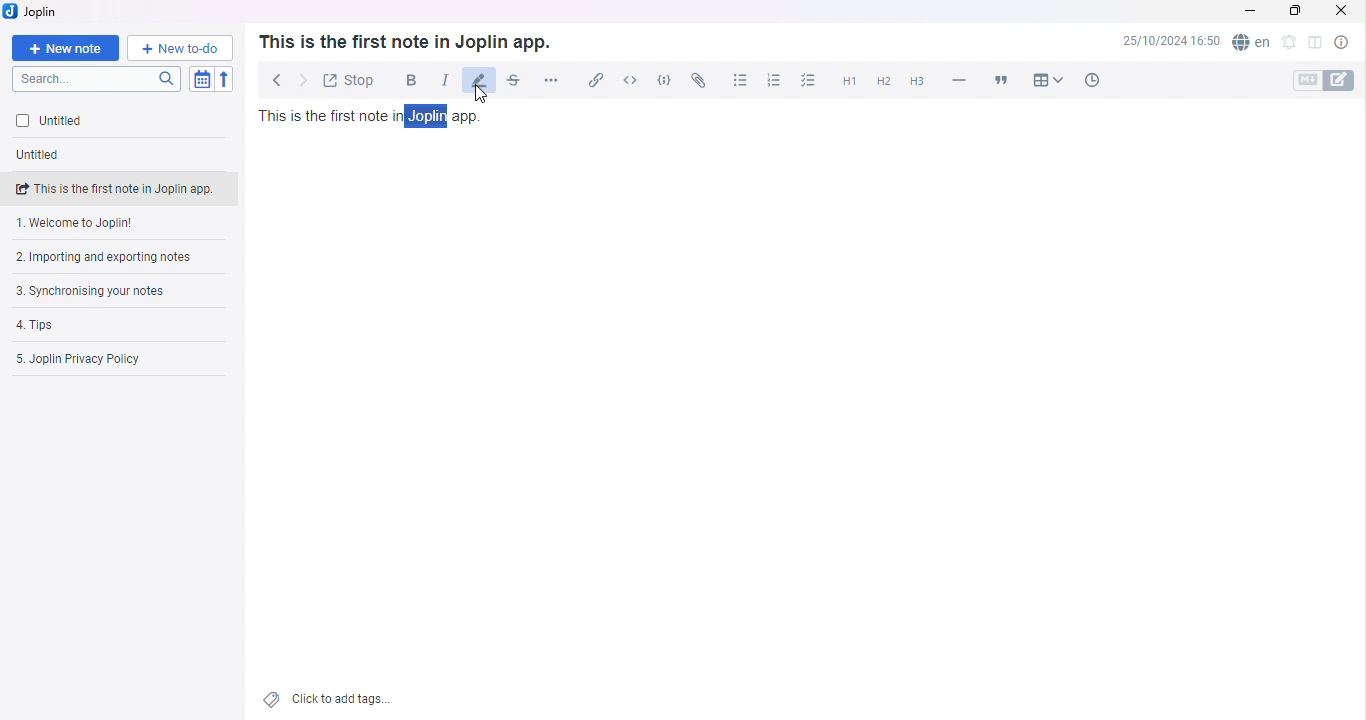 The image size is (1366, 720). Describe the element at coordinates (959, 80) in the screenshot. I see `Horizontal line` at that location.